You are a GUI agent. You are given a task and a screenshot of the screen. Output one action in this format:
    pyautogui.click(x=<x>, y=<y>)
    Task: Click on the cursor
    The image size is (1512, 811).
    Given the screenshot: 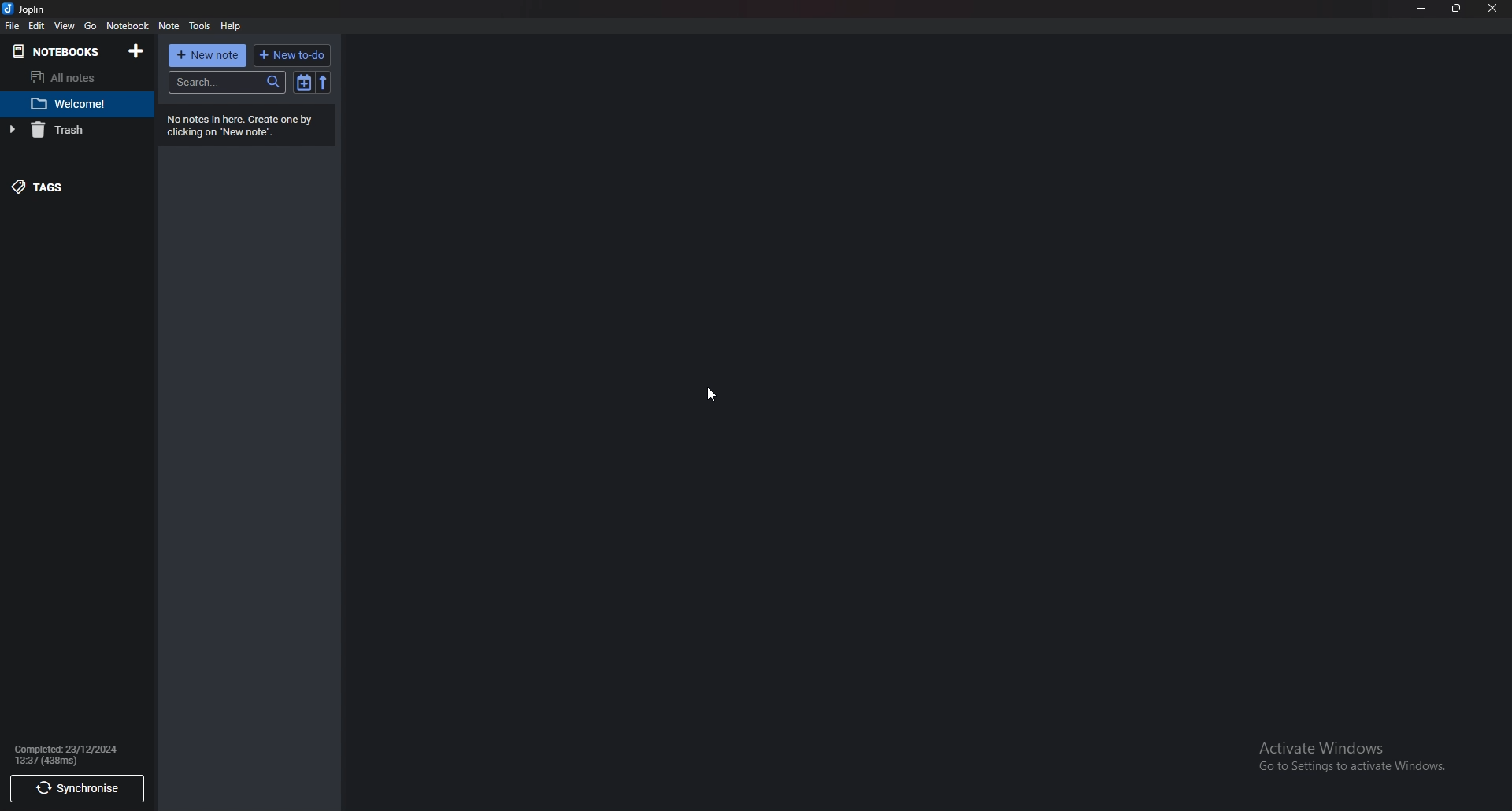 What is the action you would take?
    pyautogui.click(x=713, y=394)
    